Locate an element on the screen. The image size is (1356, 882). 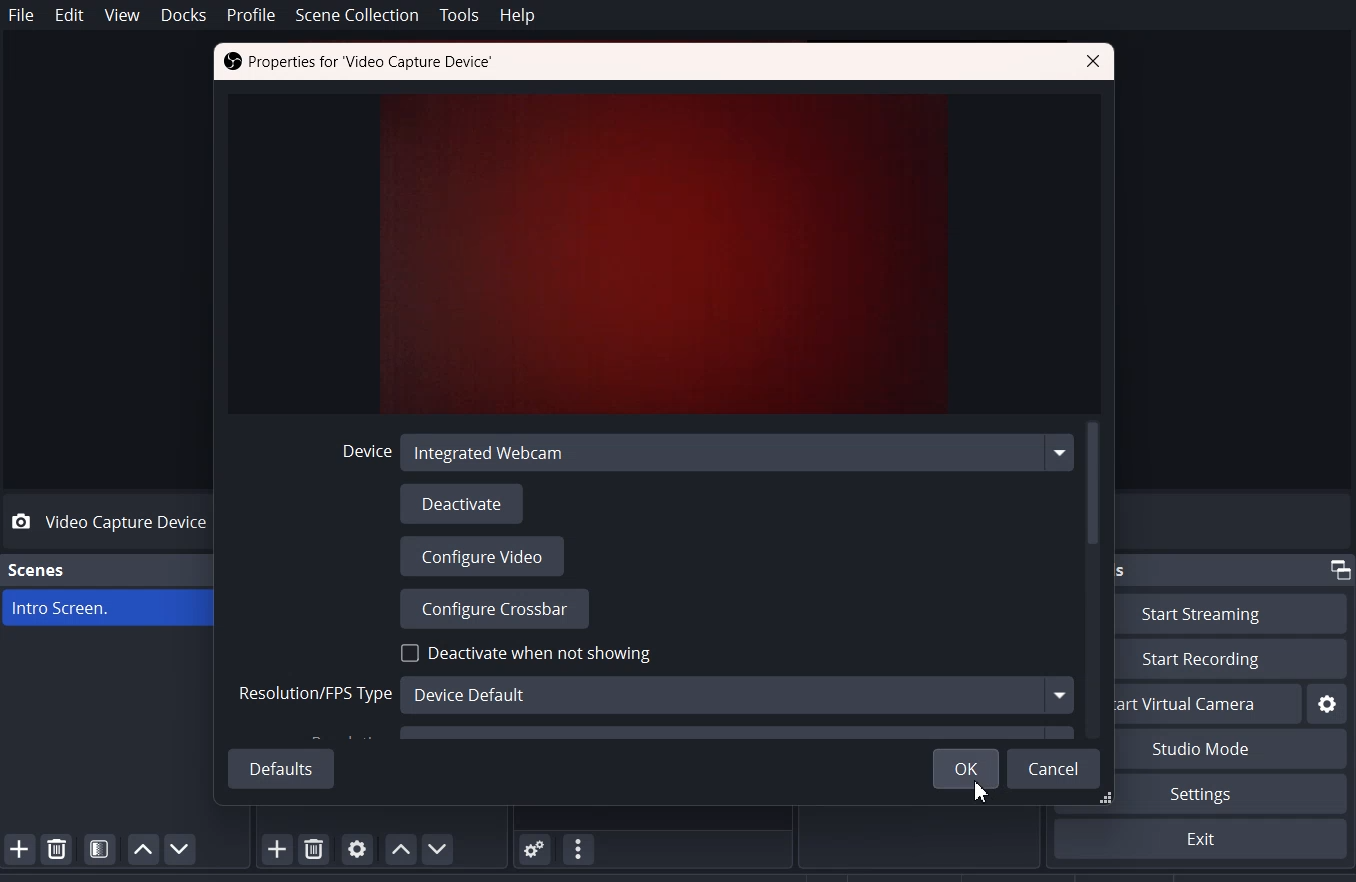
Cancel is located at coordinates (1055, 768).